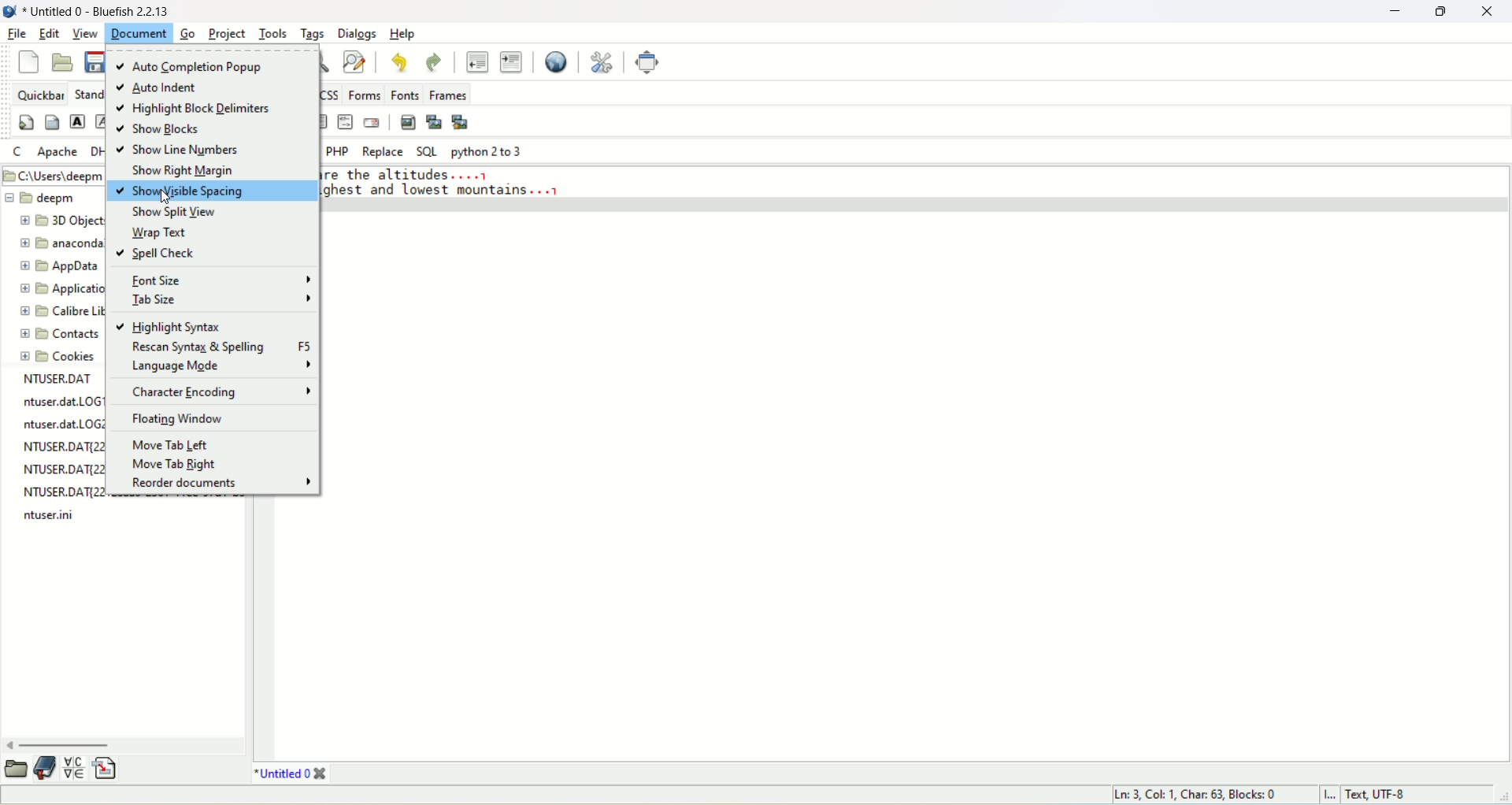  Describe the element at coordinates (48, 177) in the screenshot. I see `Filepath` at that location.